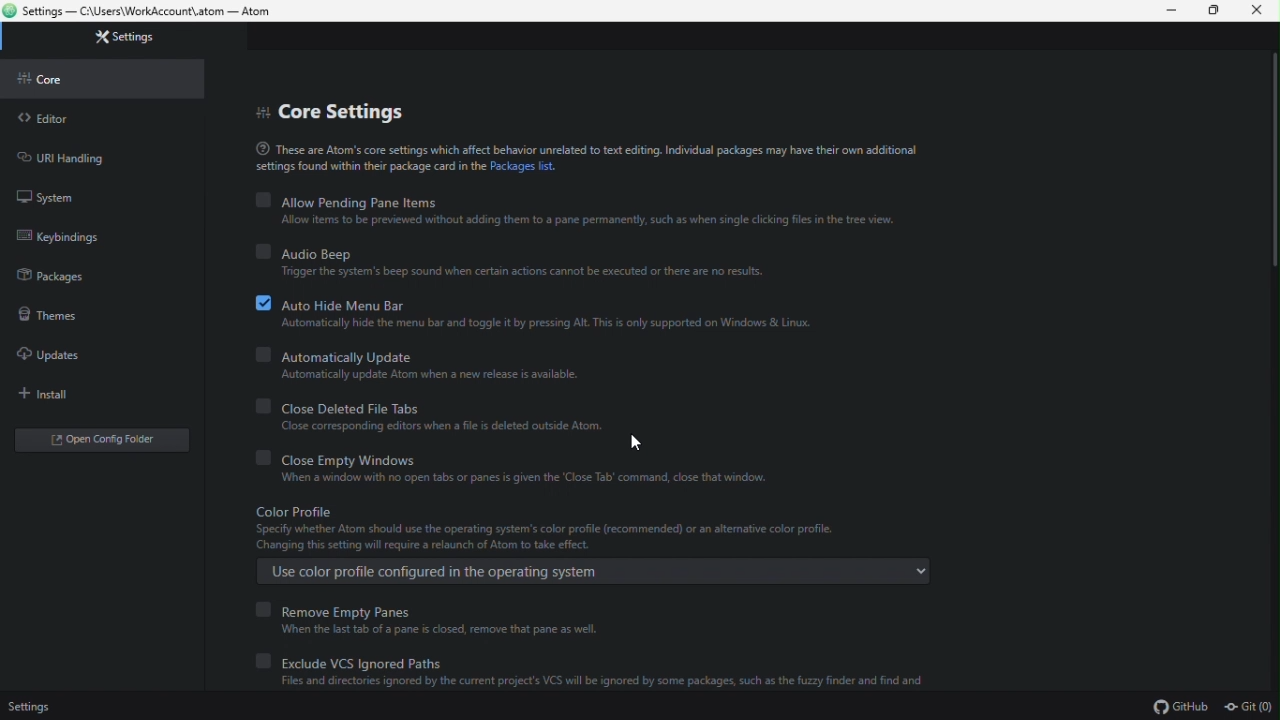  Describe the element at coordinates (302, 250) in the screenshot. I see `Audio beep` at that location.